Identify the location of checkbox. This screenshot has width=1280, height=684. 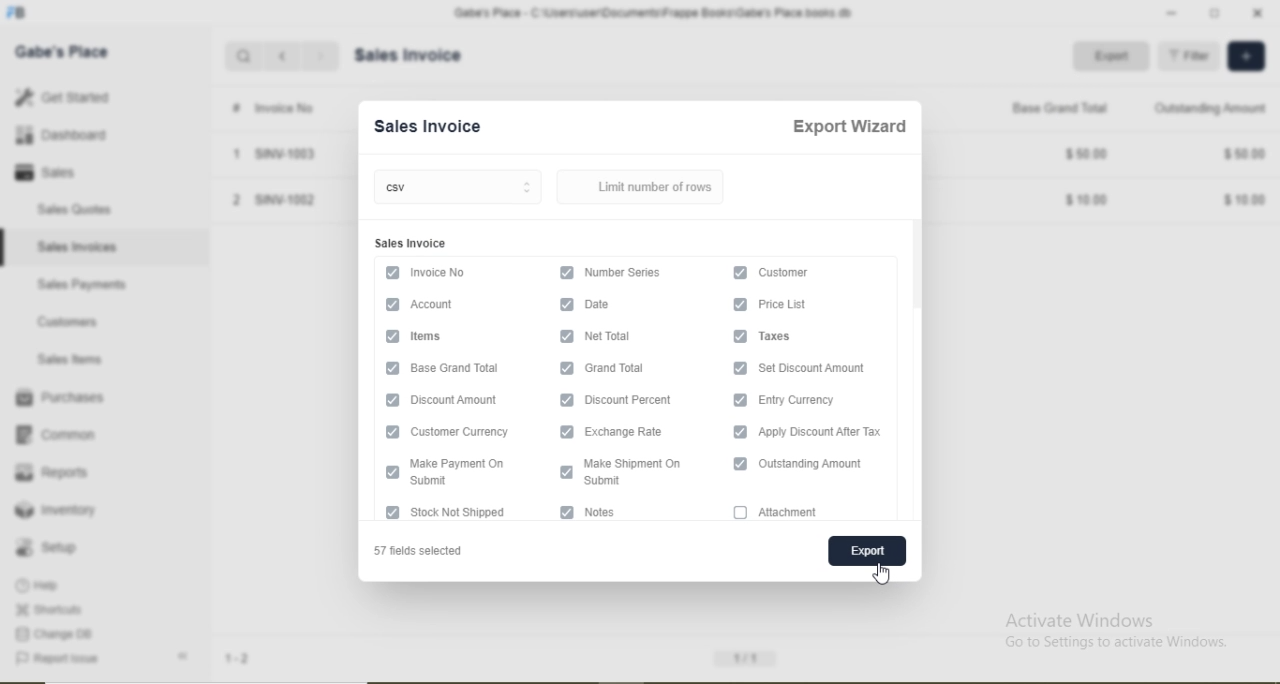
(567, 336).